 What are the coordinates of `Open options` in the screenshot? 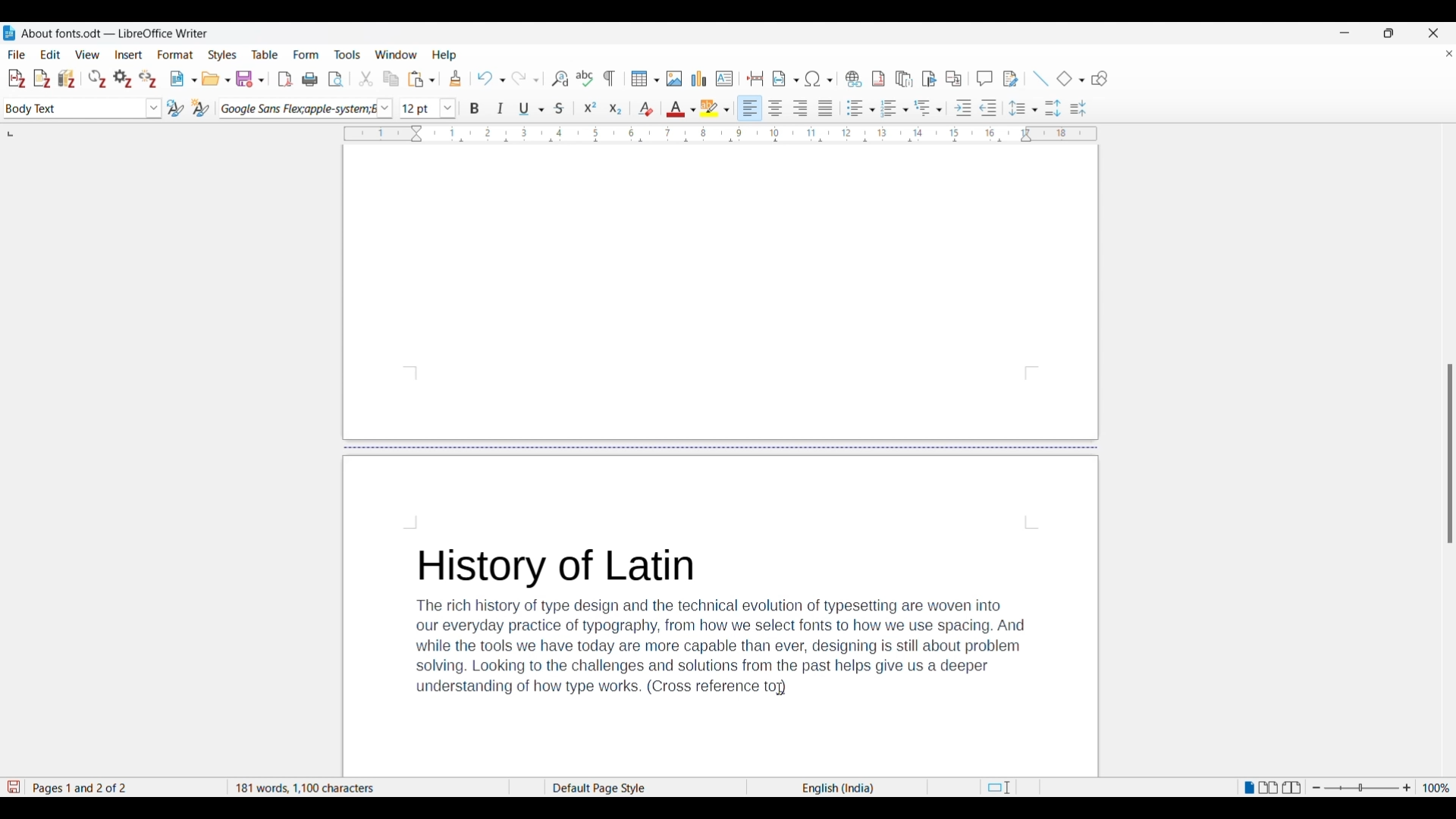 It's located at (216, 79).